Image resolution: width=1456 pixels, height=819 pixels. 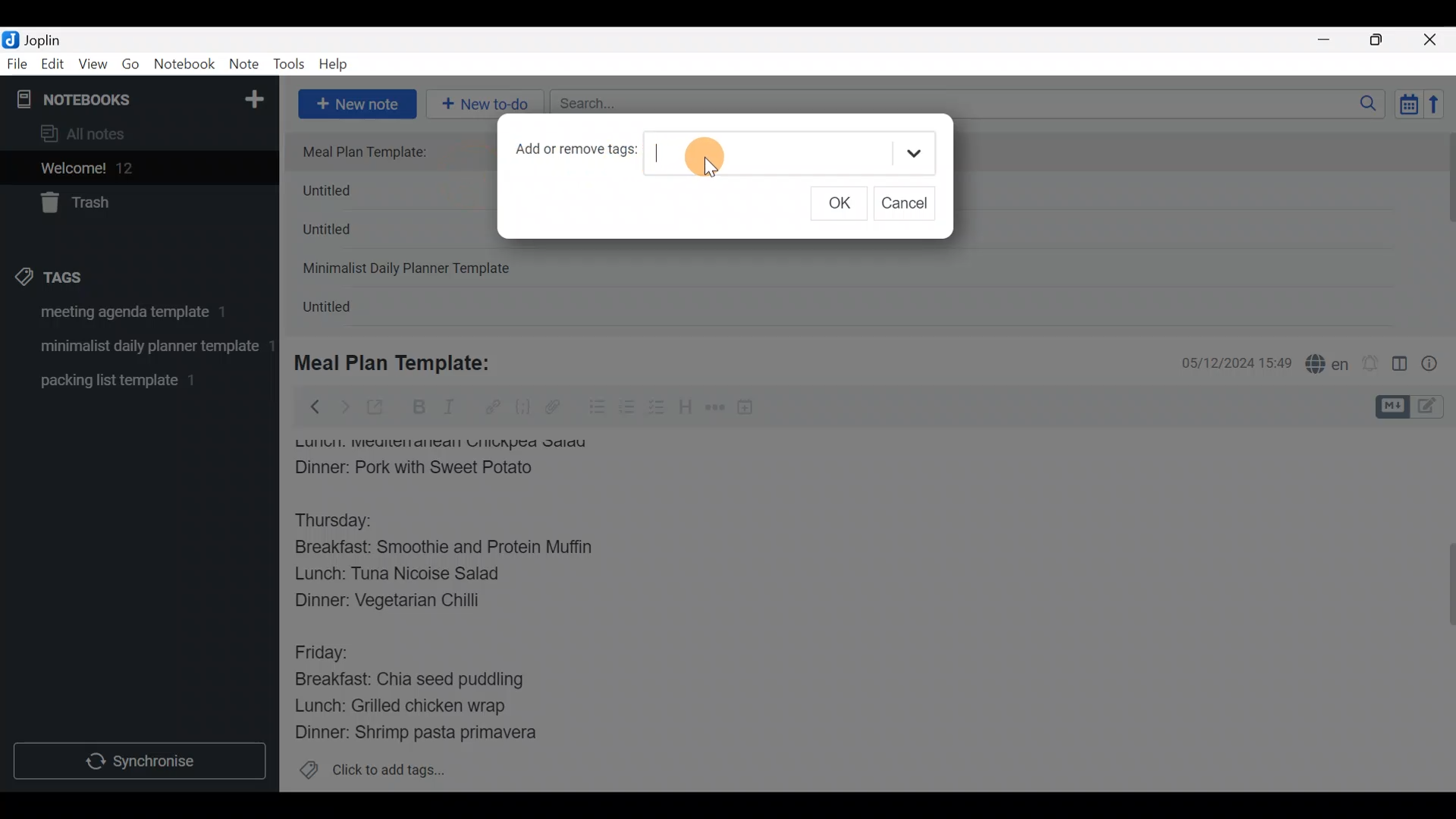 I want to click on Cursor, so click(x=706, y=158).